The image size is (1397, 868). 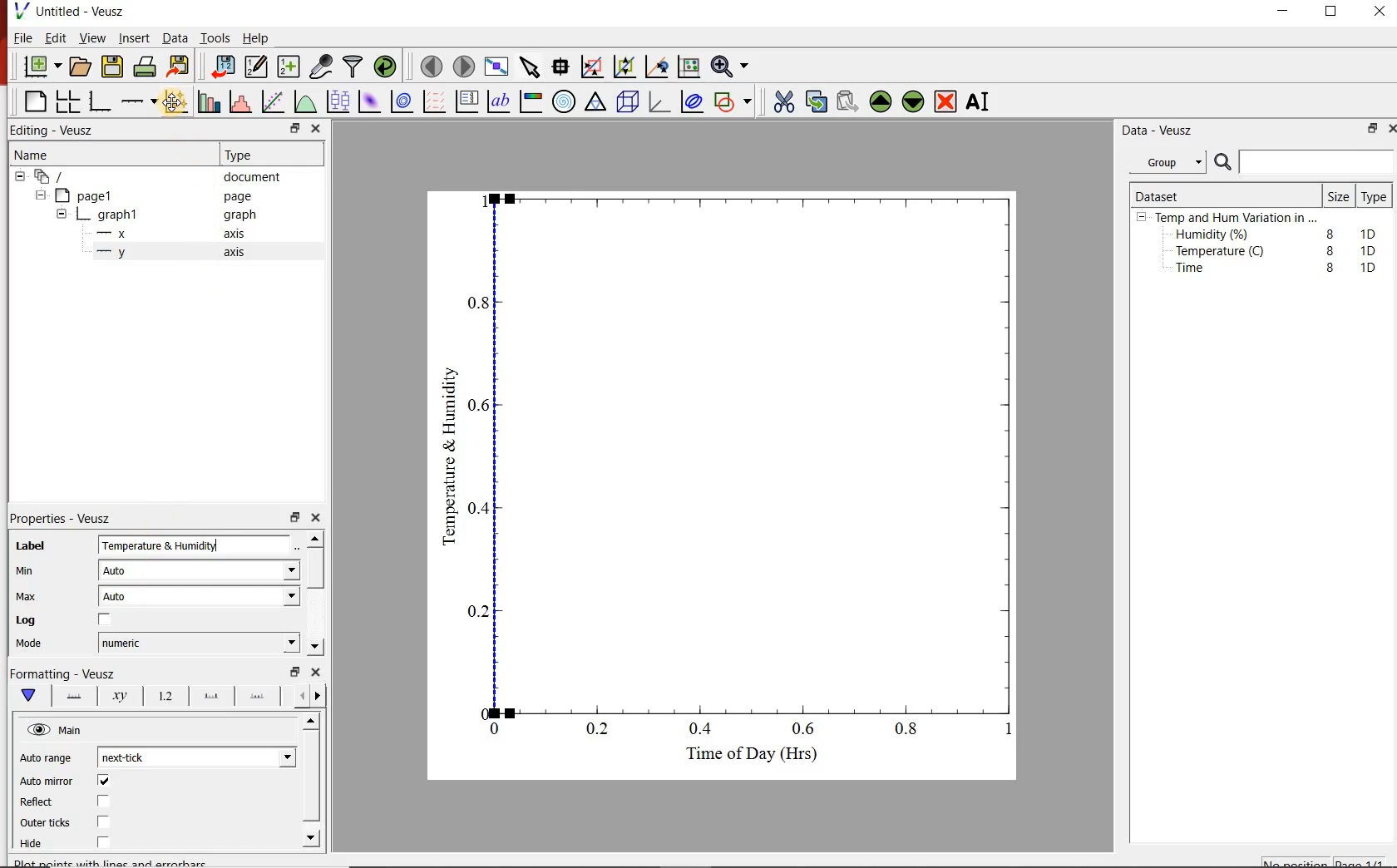 I want to click on plot covariance ellipses, so click(x=696, y=105).